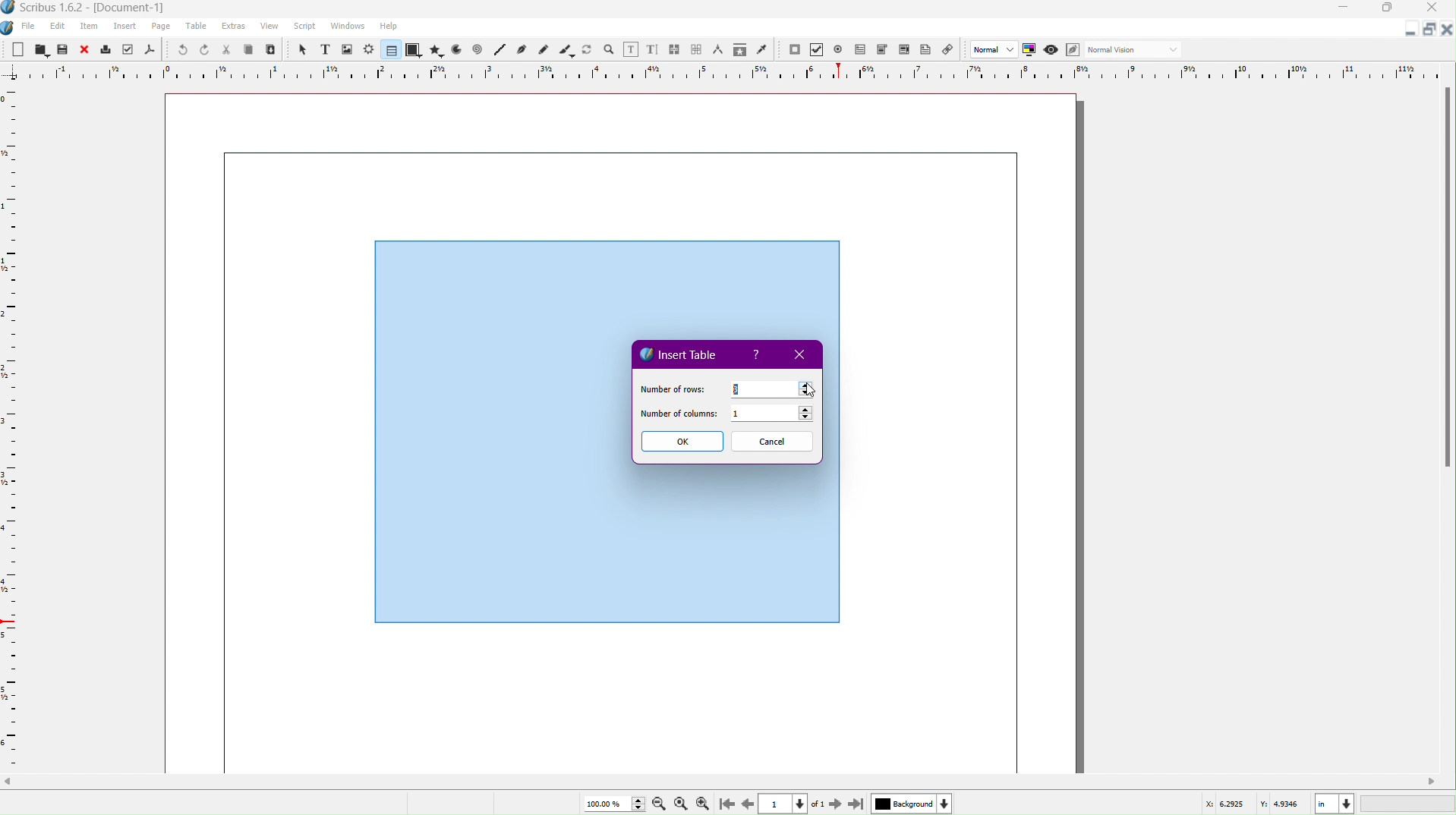  I want to click on Close, so click(86, 49).